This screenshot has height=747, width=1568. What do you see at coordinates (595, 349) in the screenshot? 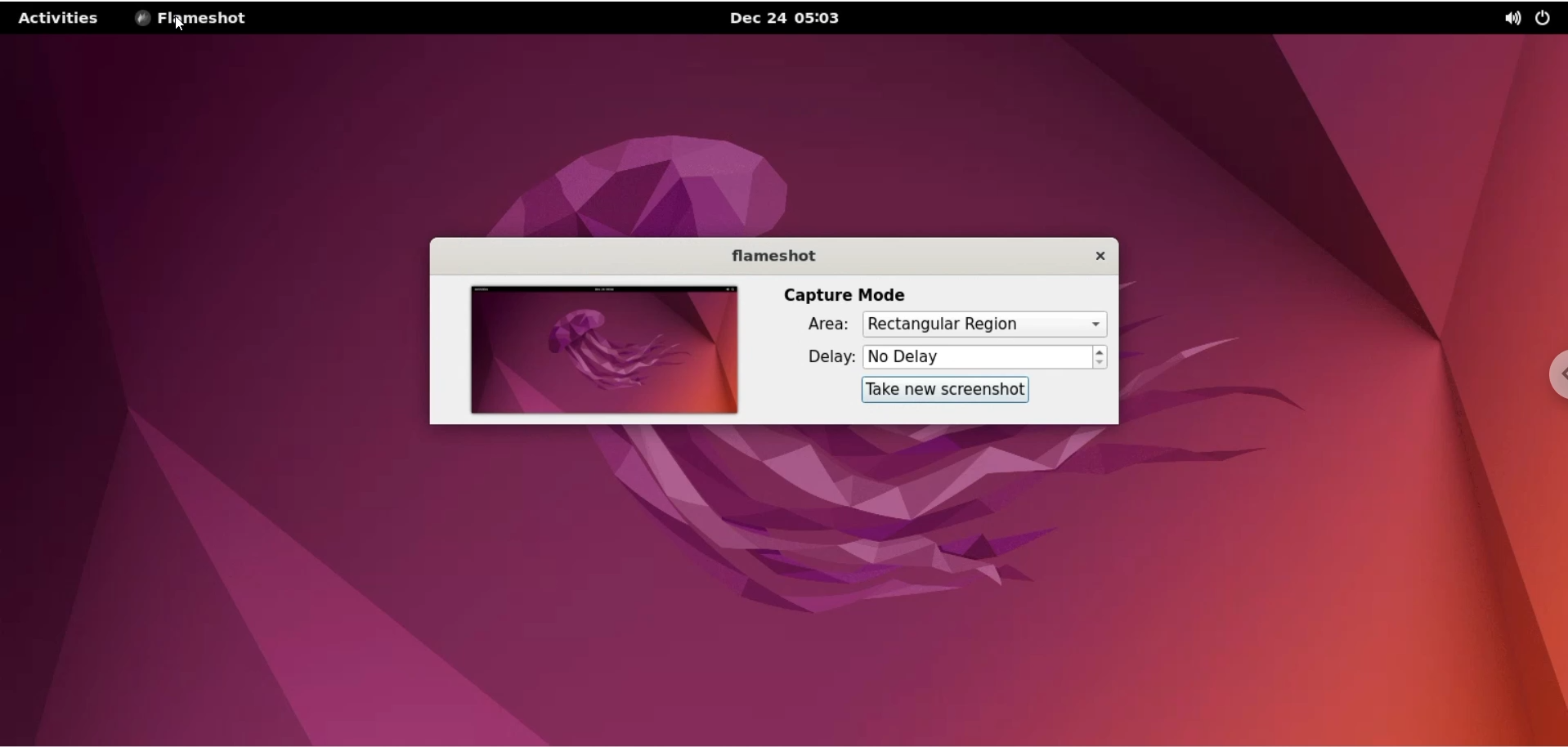
I see `screenshot preview` at bounding box center [595, 349].